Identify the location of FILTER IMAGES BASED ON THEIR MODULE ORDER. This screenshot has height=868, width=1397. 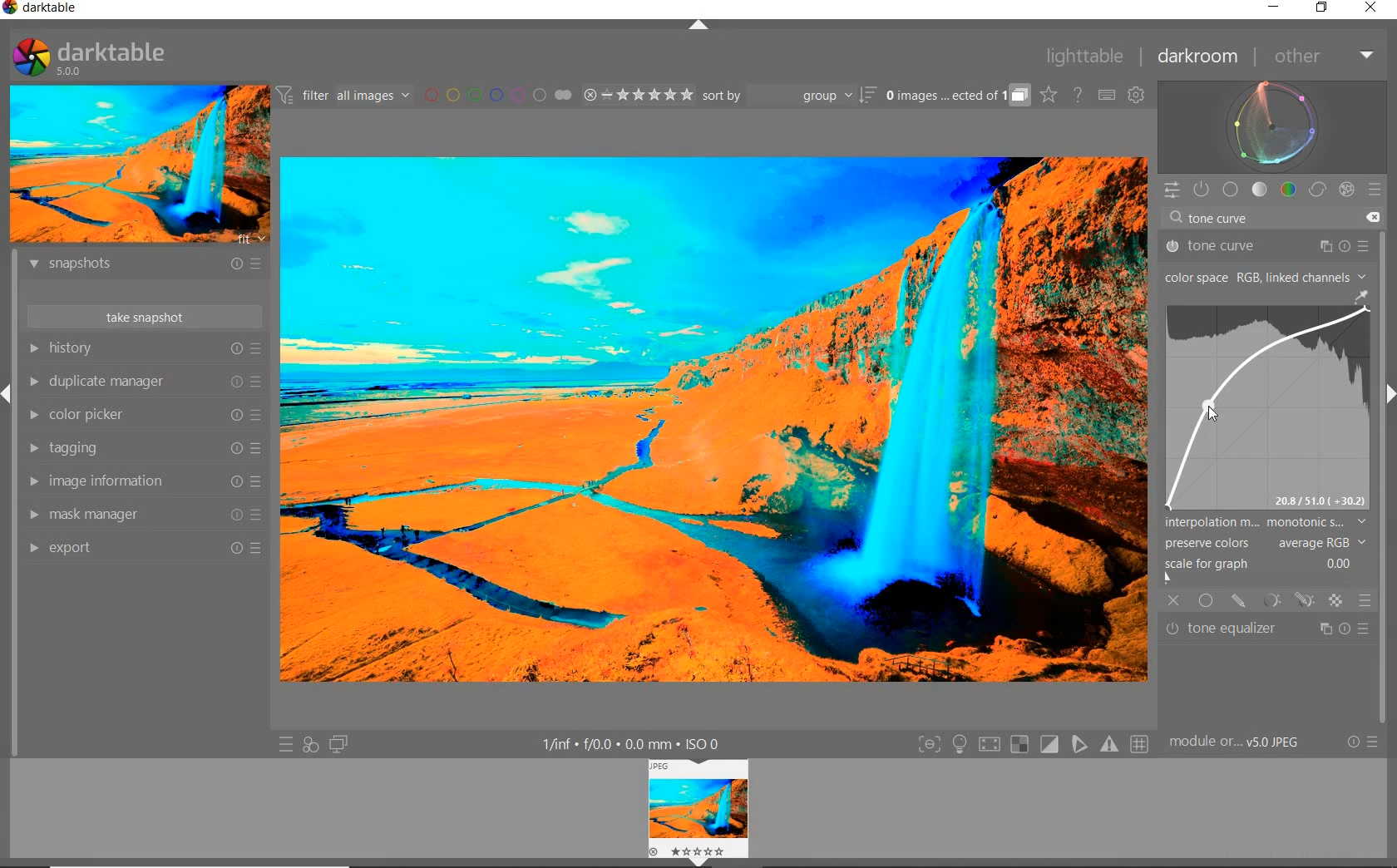
(343, 96).